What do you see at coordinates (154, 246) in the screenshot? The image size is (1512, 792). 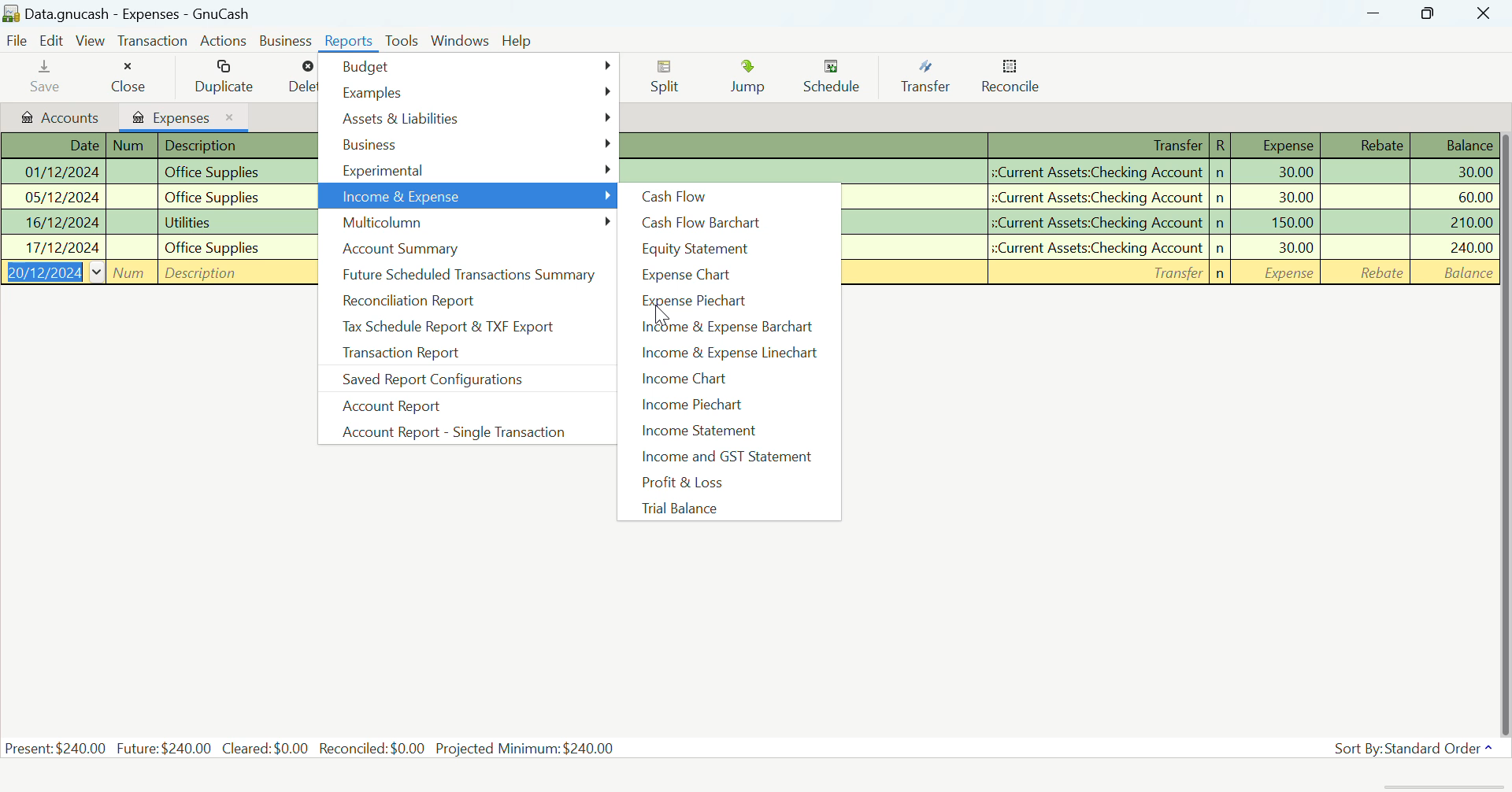 I see `Office Supplies Transaction` at bounding box center [154, 246].